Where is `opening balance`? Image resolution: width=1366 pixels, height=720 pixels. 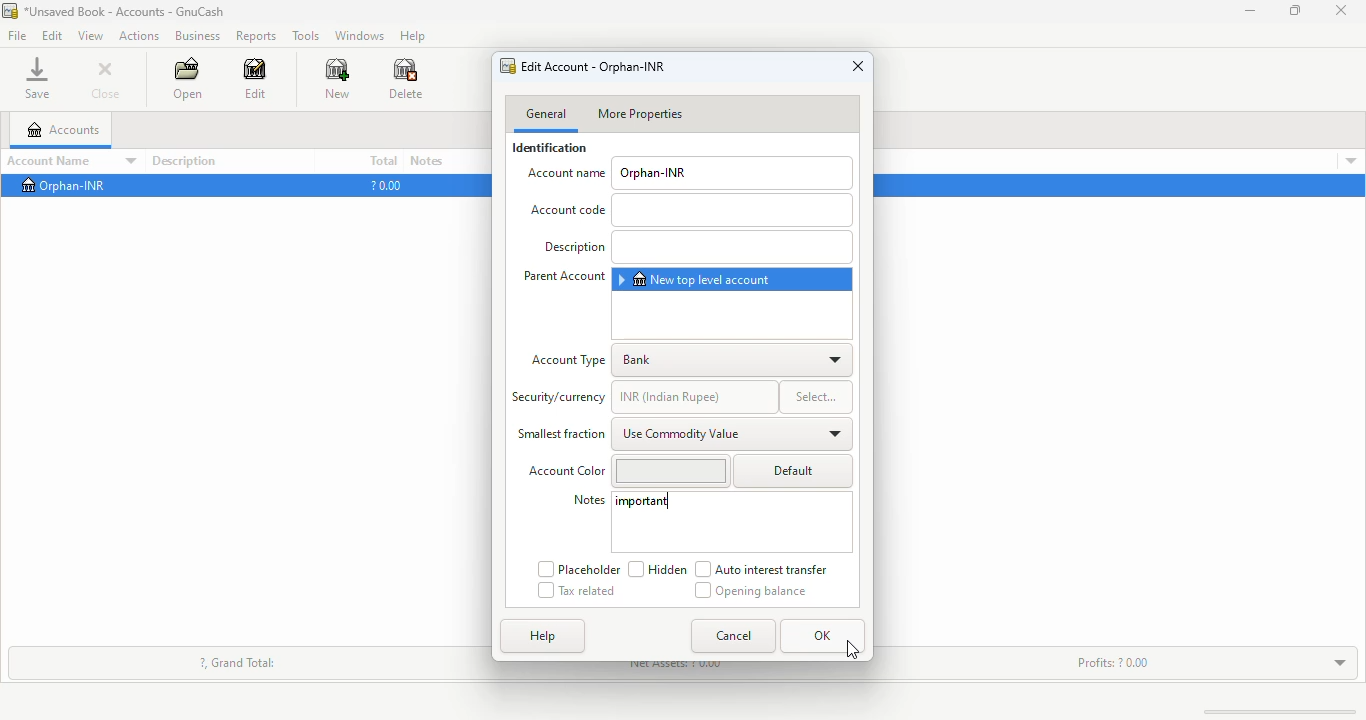
opening balance is located at coordinates (750, 590).